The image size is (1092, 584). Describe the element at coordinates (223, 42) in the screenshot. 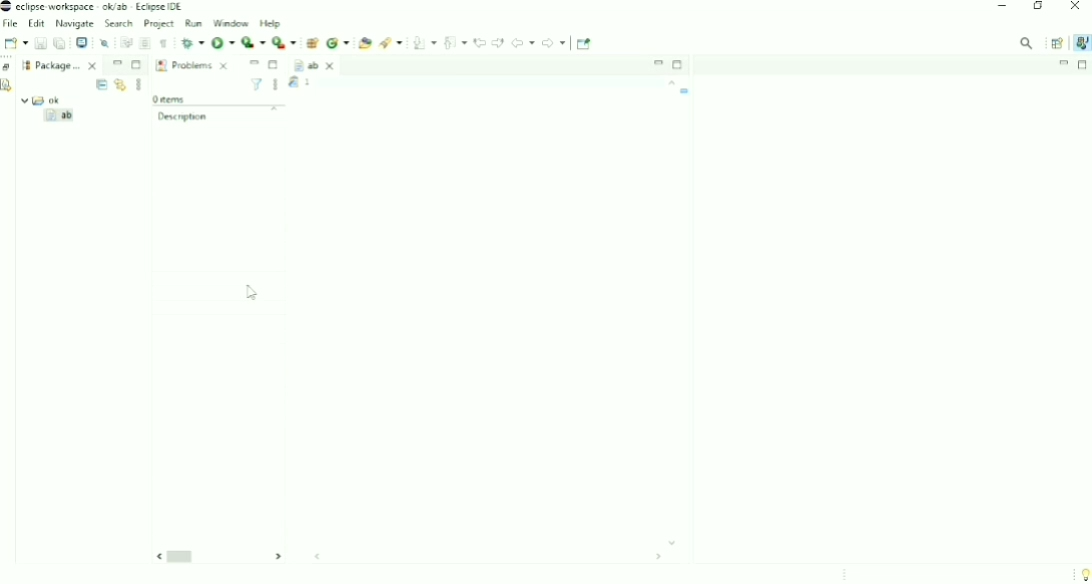

I see `Run` at that location.